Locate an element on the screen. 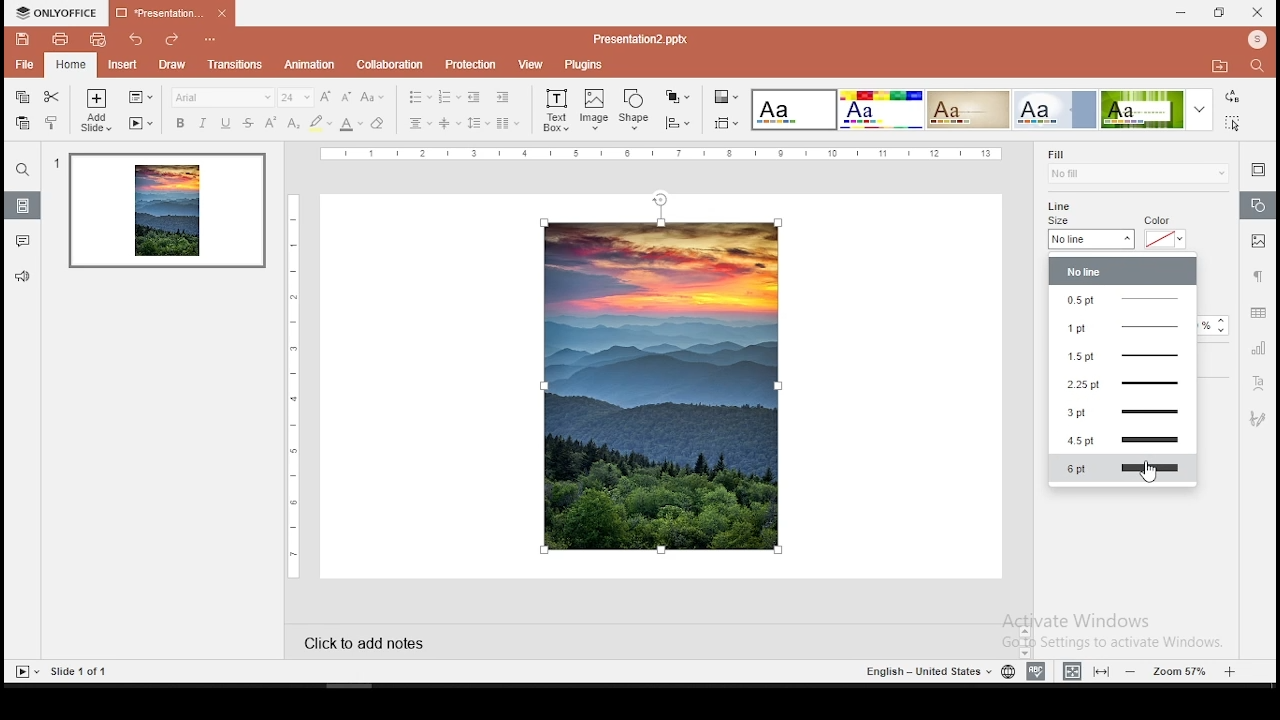 This screenshot has height=720, width=1280. presentation2.pptx is located at coordinates (634, 38).